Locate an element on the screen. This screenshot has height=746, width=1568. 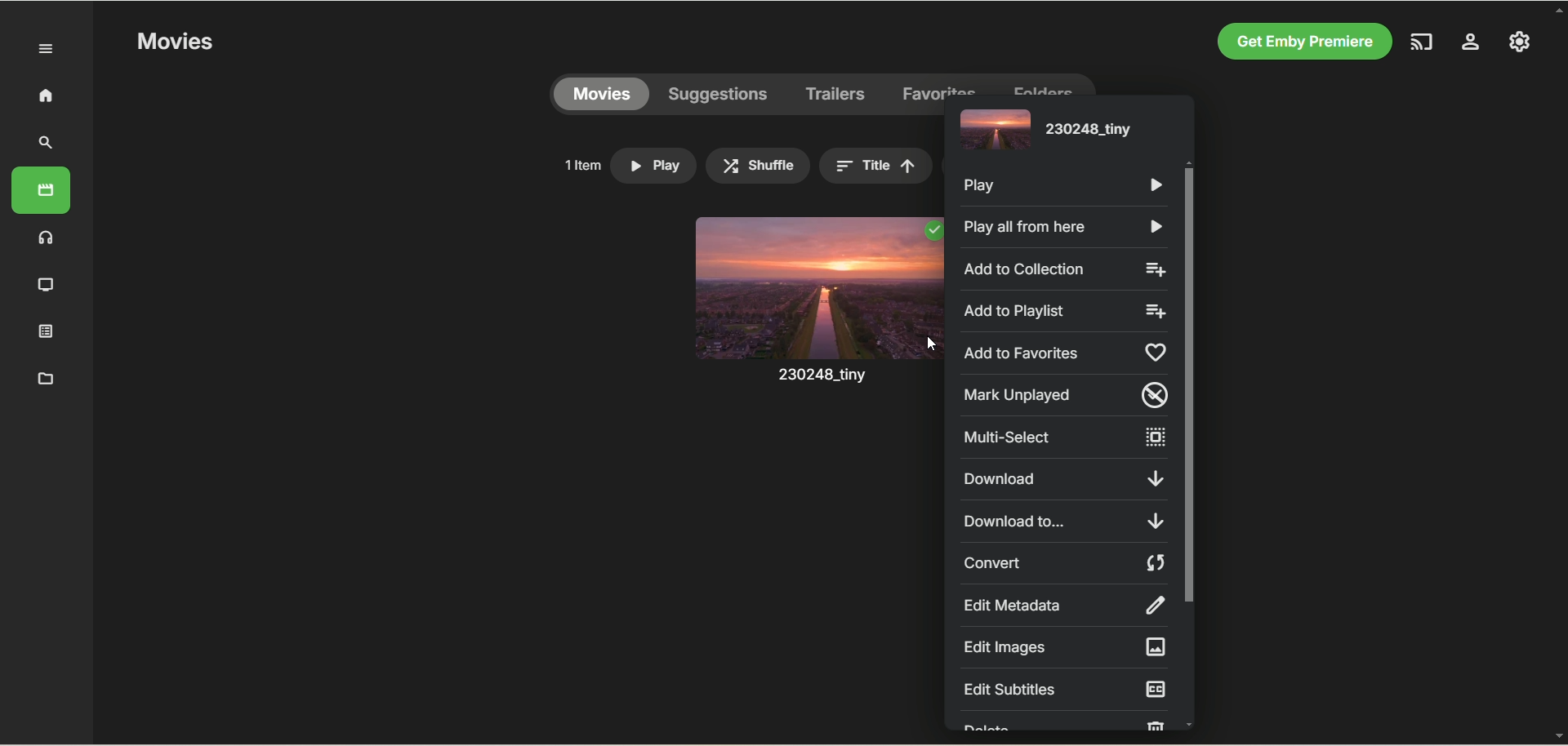
download to is located at coordinates (1062, 520).